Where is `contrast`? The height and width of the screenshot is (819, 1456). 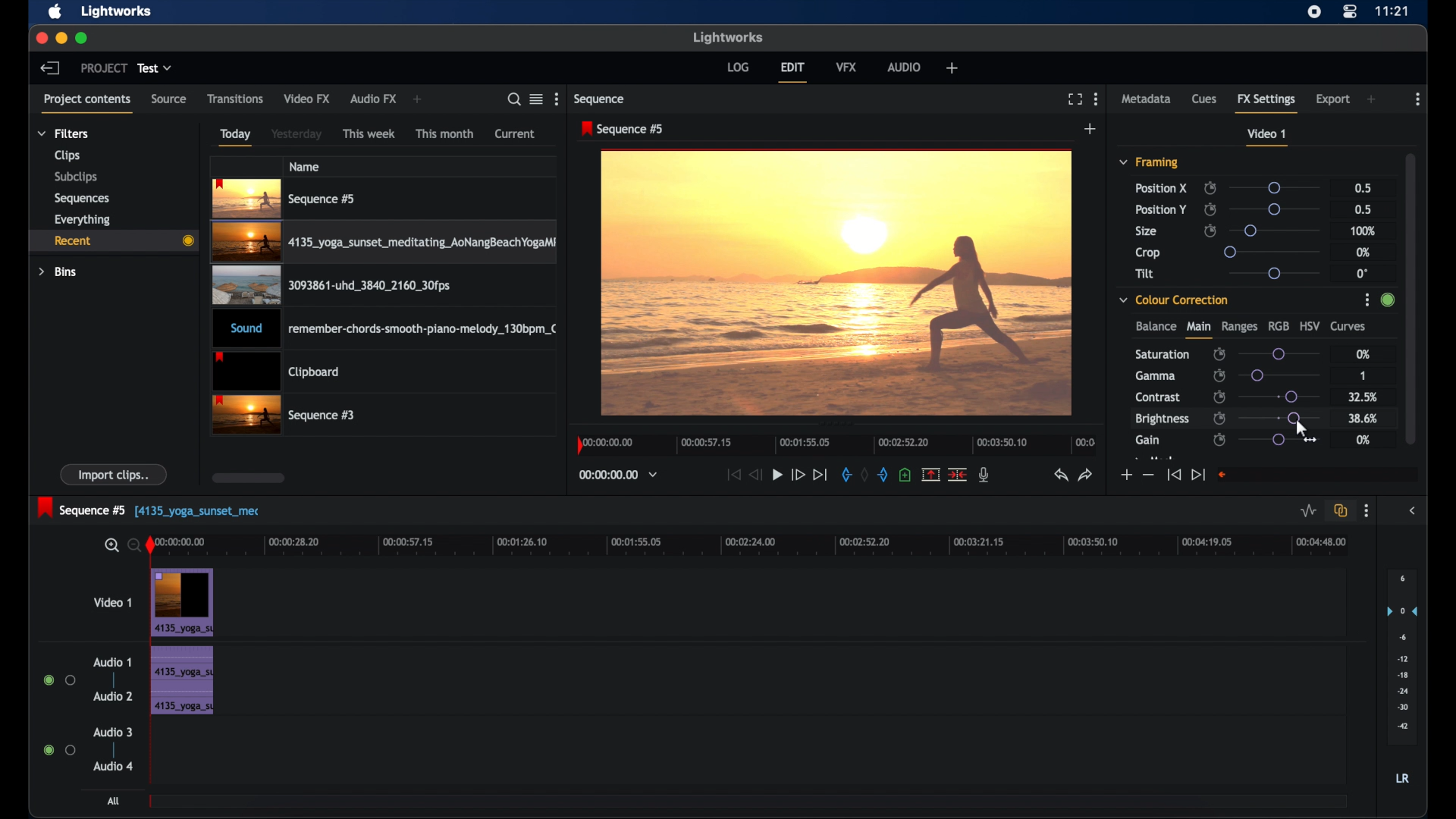 contrast is located at coordinates (1157, 398).